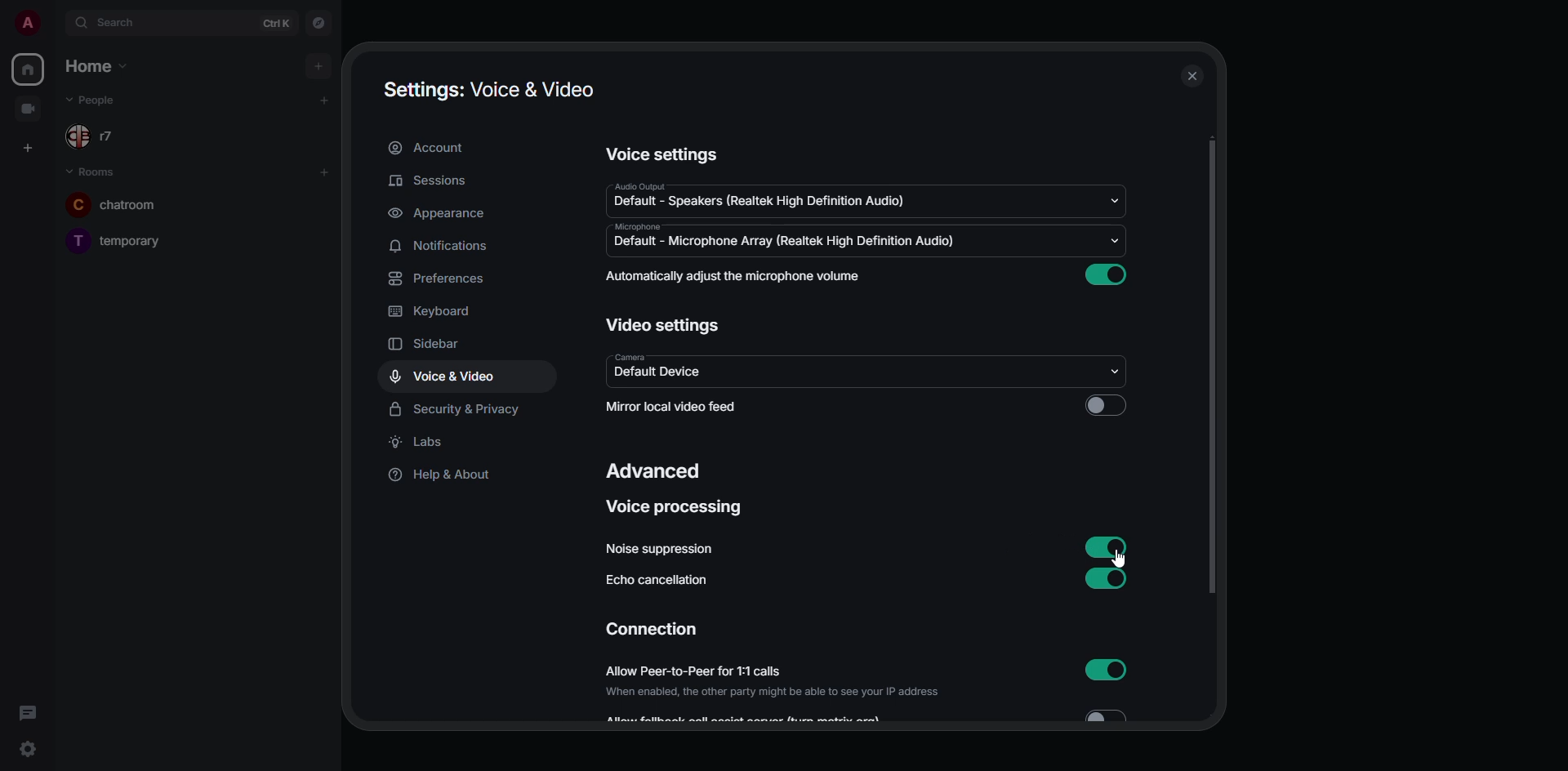  Describe the element at coordinates (120, 241) in the screenshot. I see `room` at that location.